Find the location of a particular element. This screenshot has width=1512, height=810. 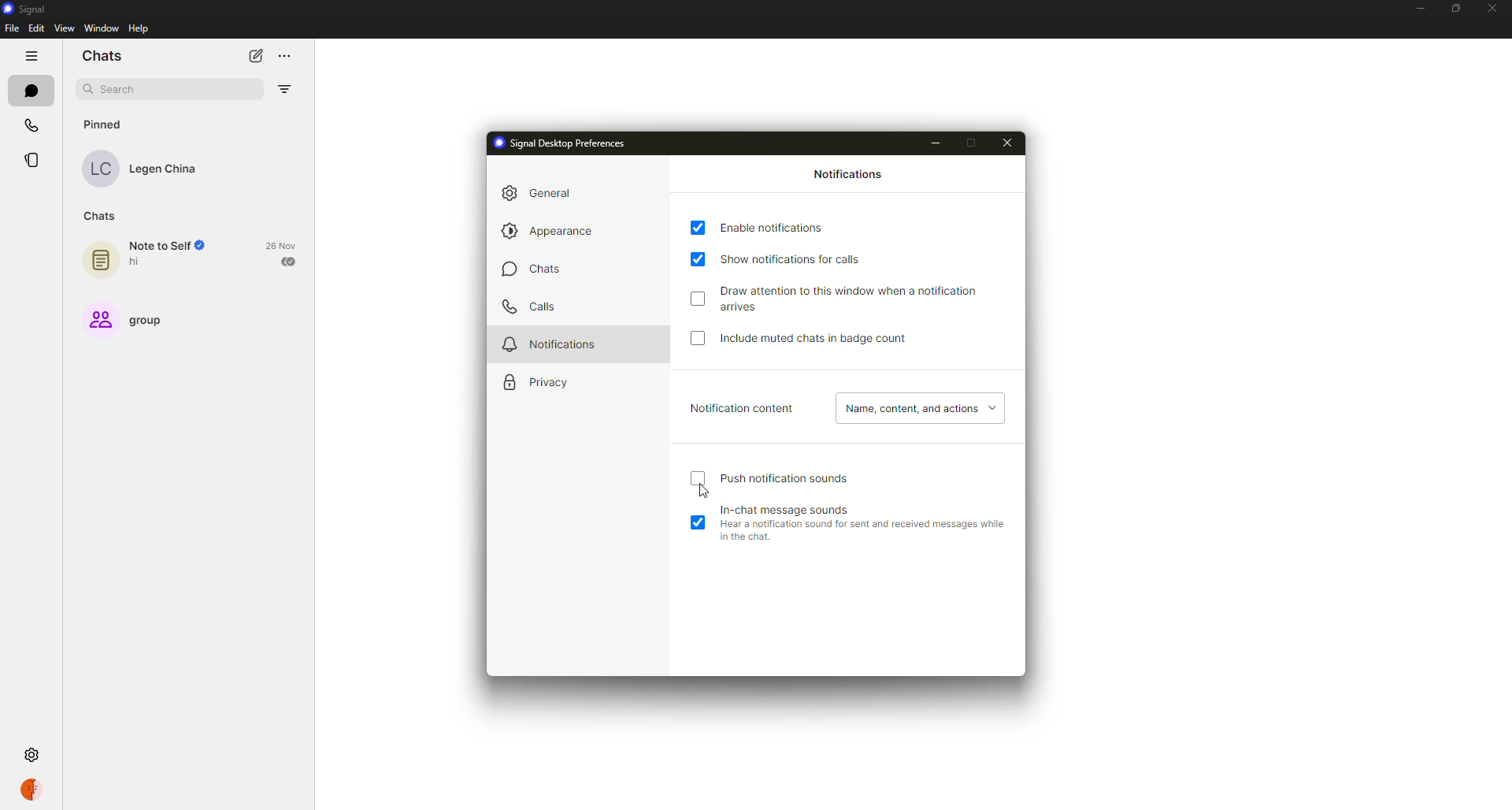

hide tabs is located at coordinates (31, 55).